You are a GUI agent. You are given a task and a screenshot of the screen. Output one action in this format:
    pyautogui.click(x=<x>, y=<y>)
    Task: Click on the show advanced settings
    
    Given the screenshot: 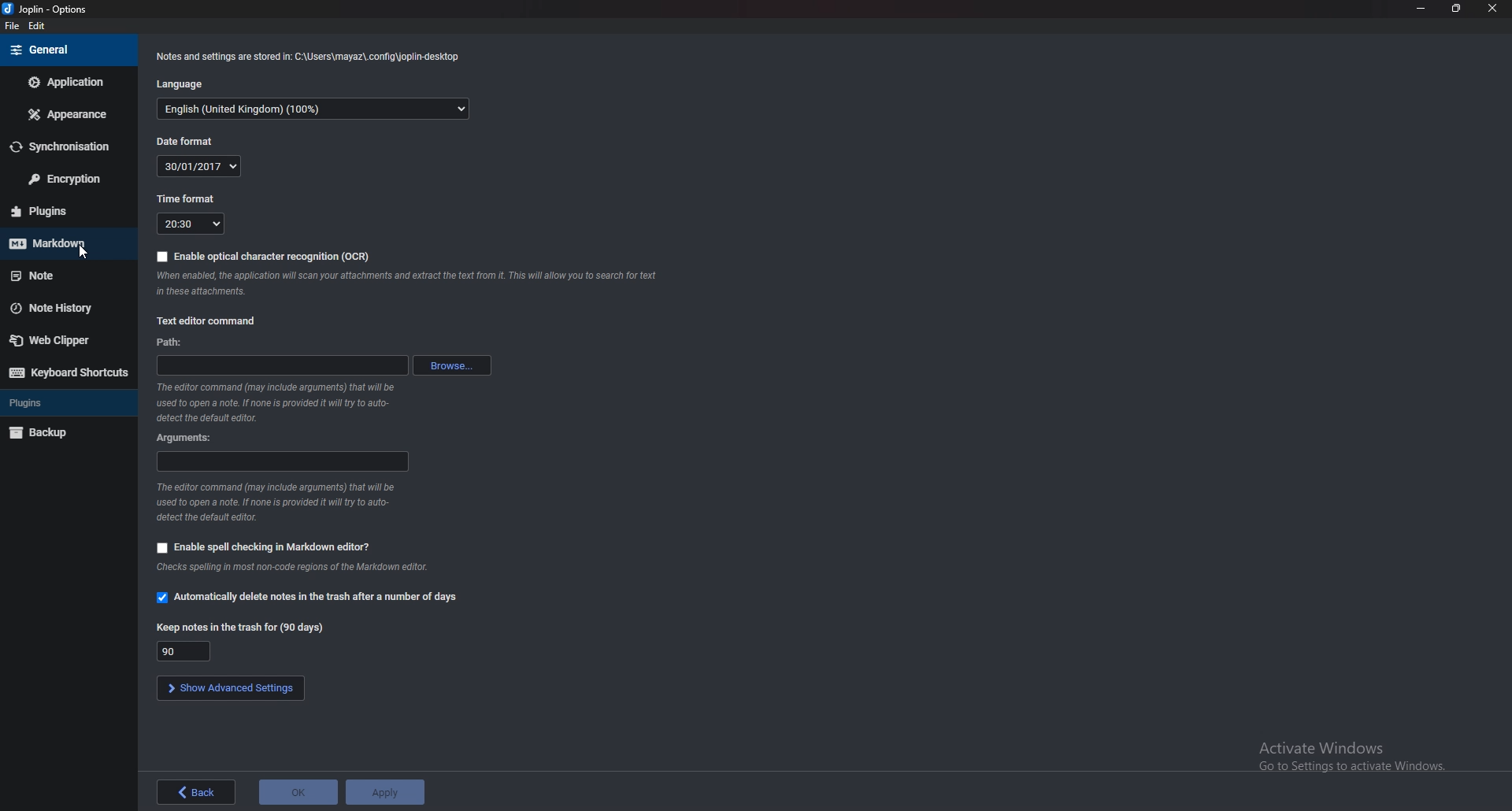 What is the action you would take?
    pyautogui.click(x=232, y=687)
    